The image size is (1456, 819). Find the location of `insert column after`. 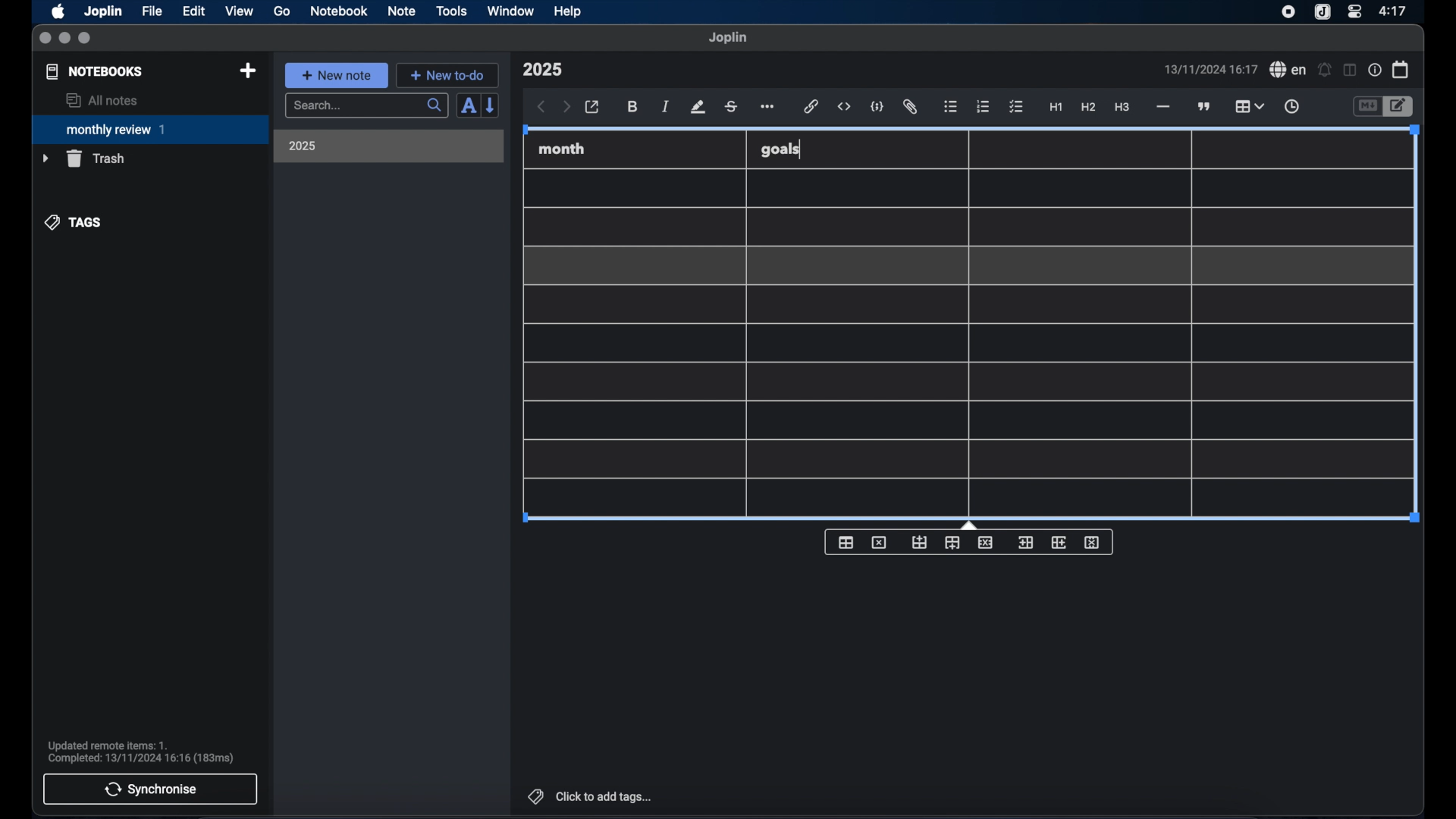

insert column after is located at coordinates (1059, 542).